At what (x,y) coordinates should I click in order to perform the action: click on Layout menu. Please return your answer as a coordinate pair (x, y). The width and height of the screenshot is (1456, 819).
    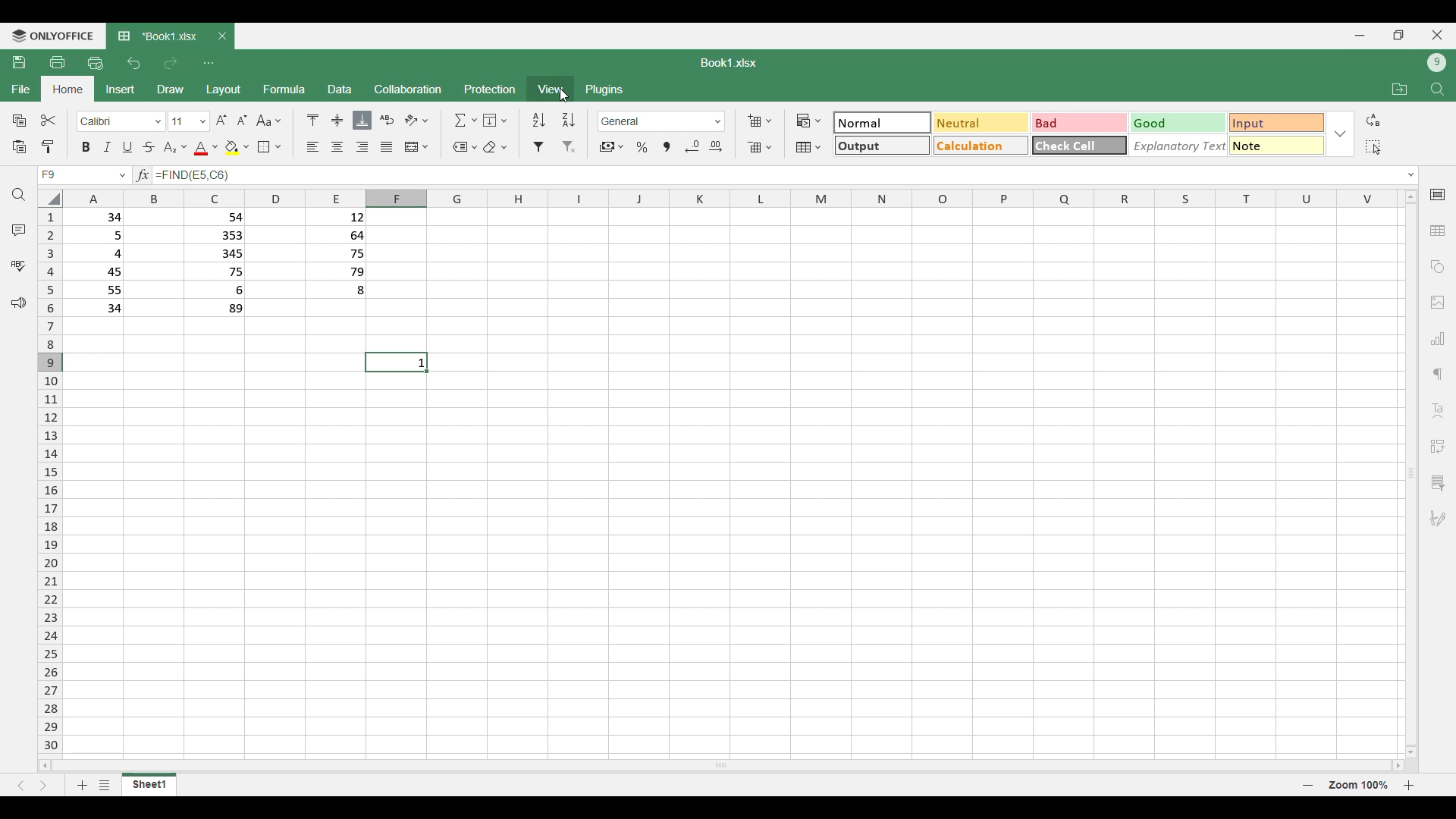
    Looking at the image, I should click on (222, 90).